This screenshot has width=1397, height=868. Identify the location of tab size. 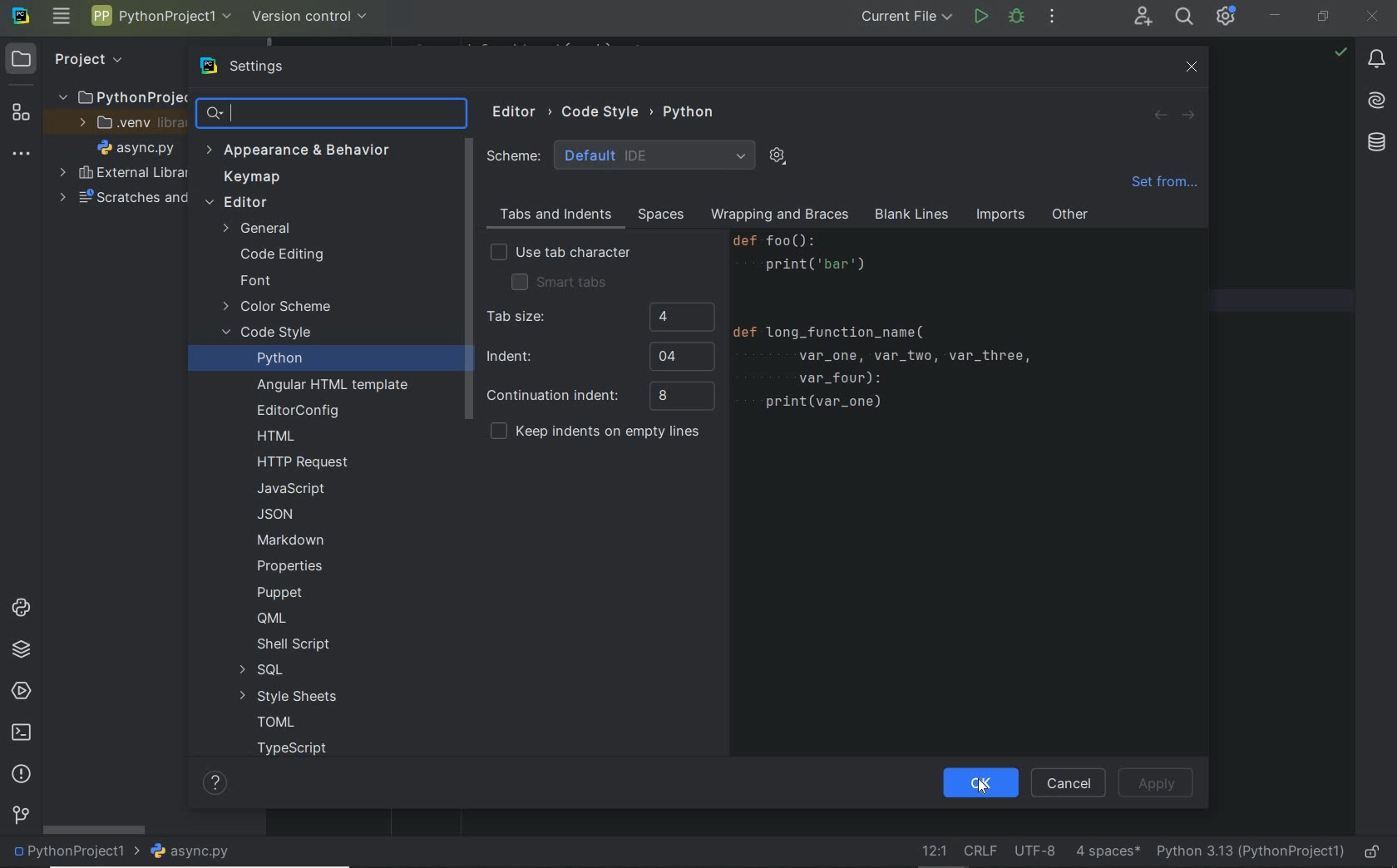
(599, 318).